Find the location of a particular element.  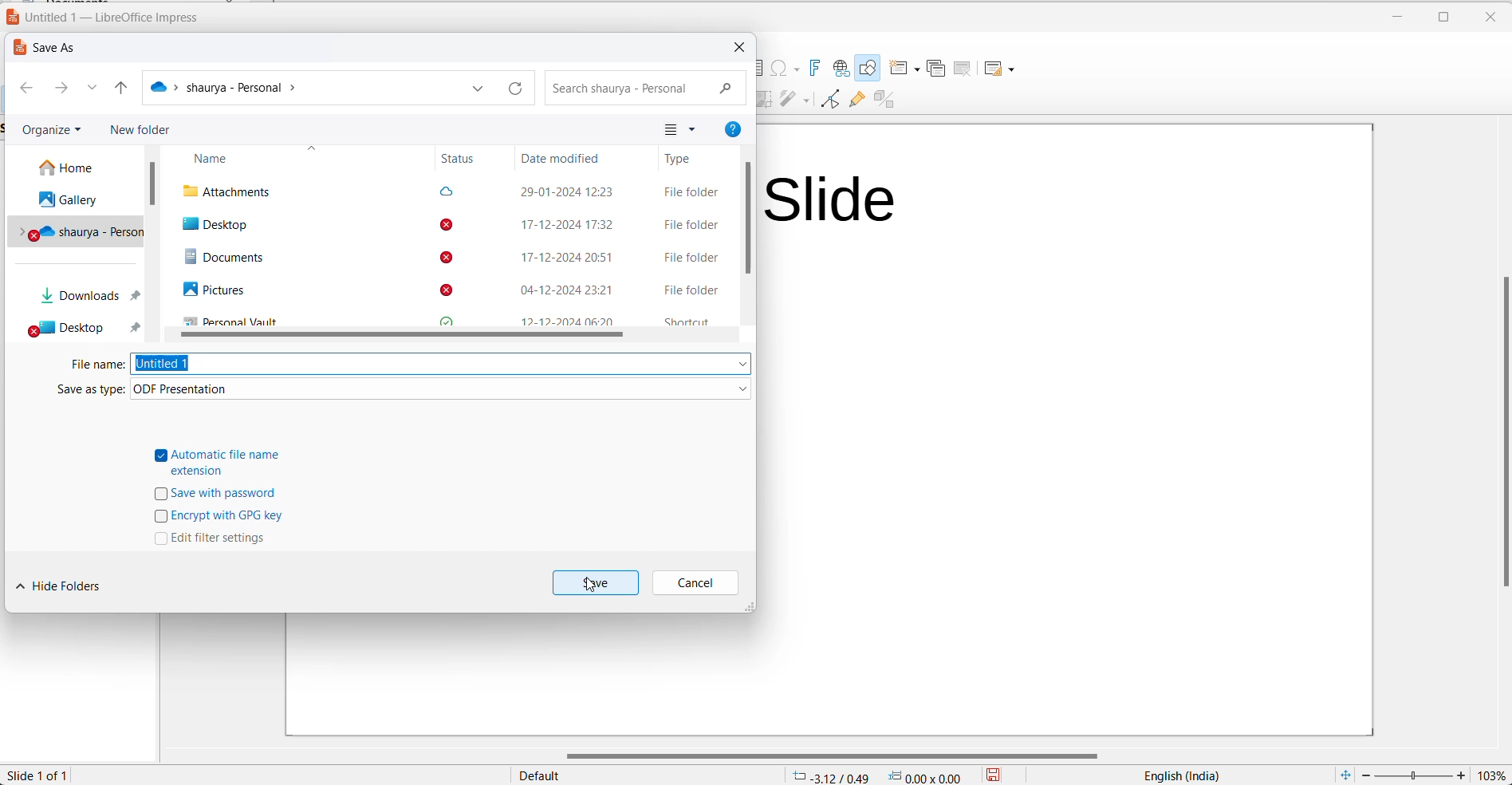

preview options is located at coordinates (679, 129).